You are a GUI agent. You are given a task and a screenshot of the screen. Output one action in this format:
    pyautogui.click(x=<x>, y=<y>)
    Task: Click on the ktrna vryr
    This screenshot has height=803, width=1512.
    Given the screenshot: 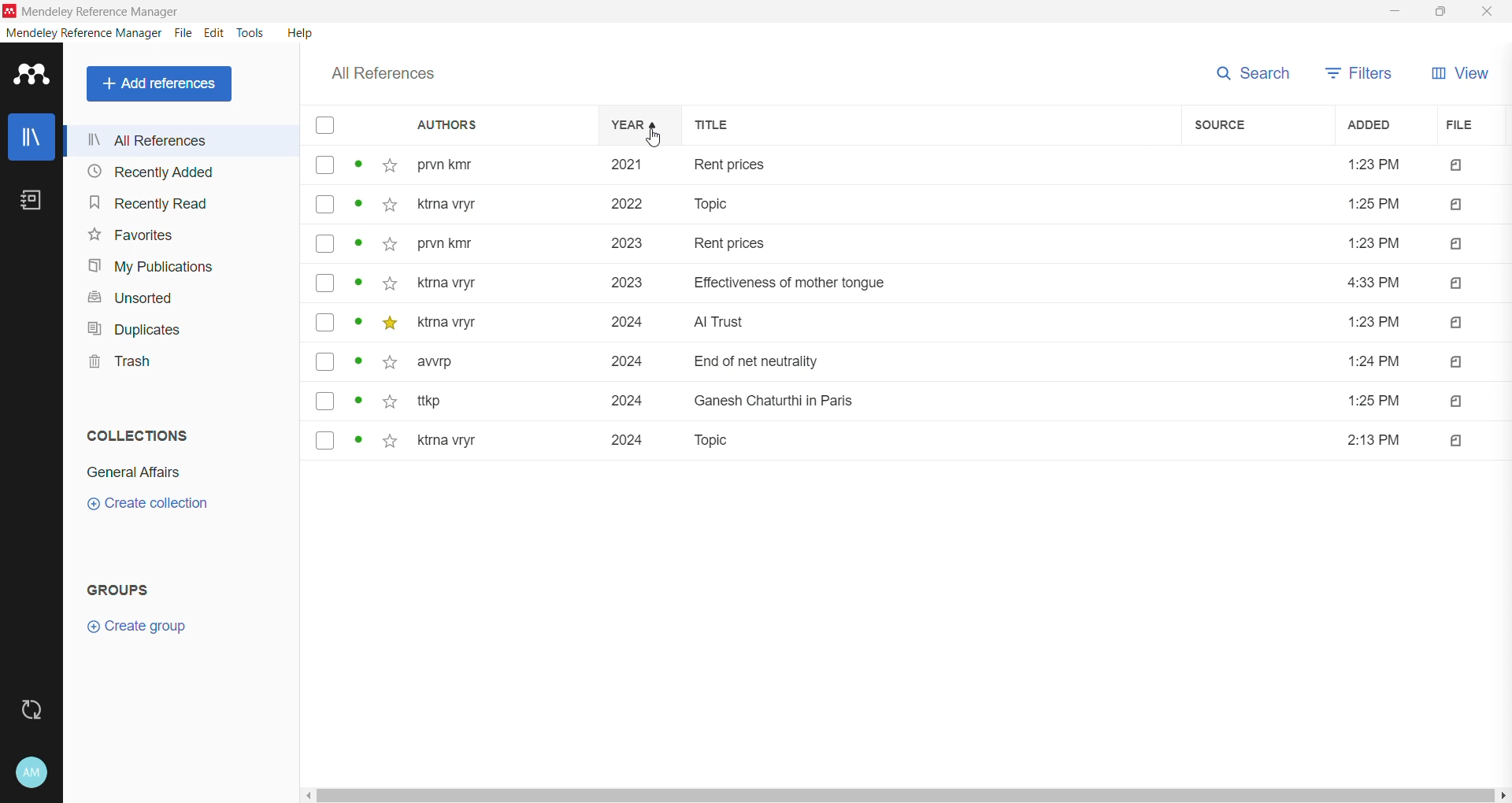 What is the action you would take?
    pyautogui.click(x=452, y=284)
    